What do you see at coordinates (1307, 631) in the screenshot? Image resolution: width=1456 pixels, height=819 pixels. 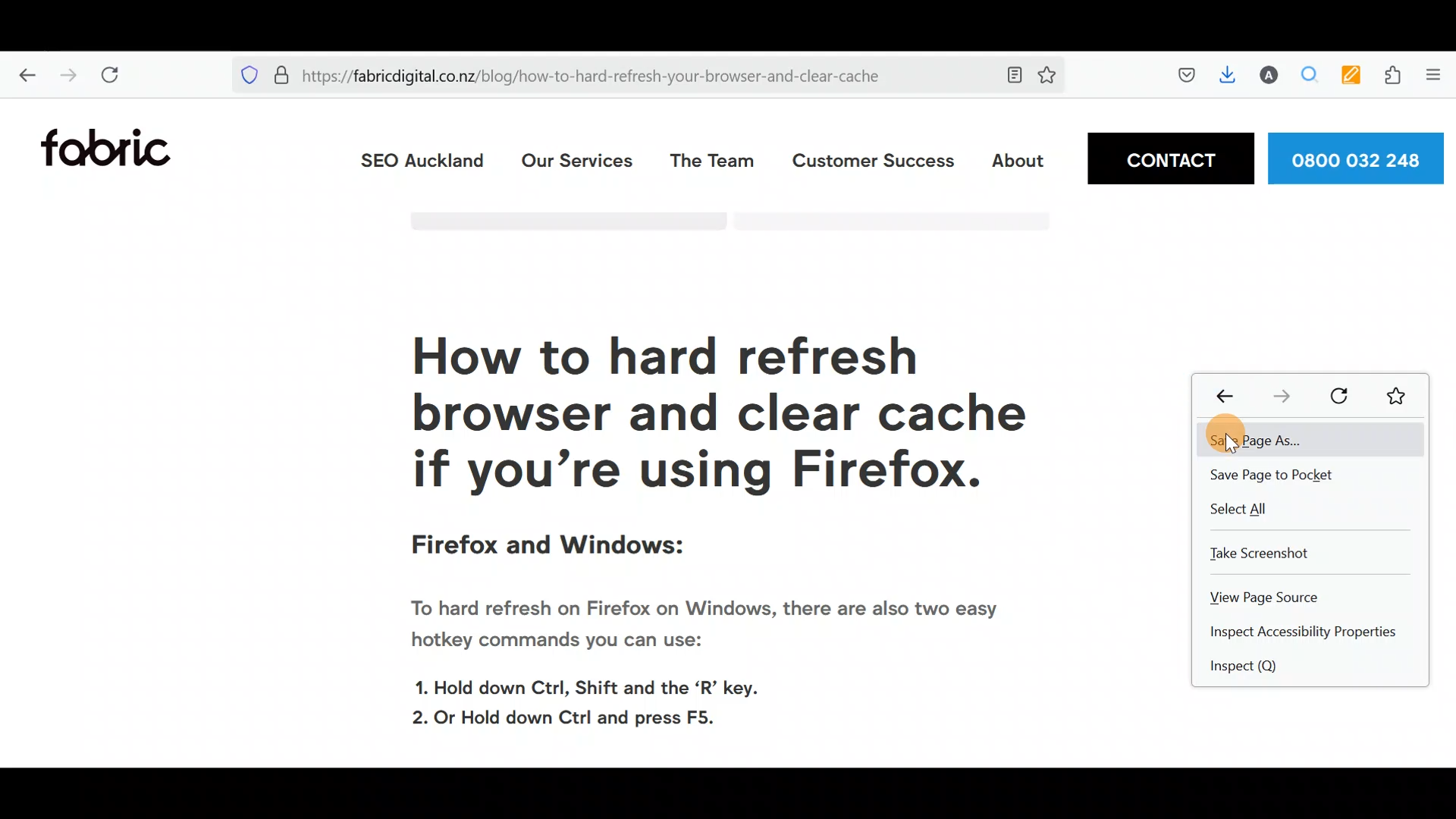 I see `Inspect accessibility properties` at bounding box center [1307, 631].